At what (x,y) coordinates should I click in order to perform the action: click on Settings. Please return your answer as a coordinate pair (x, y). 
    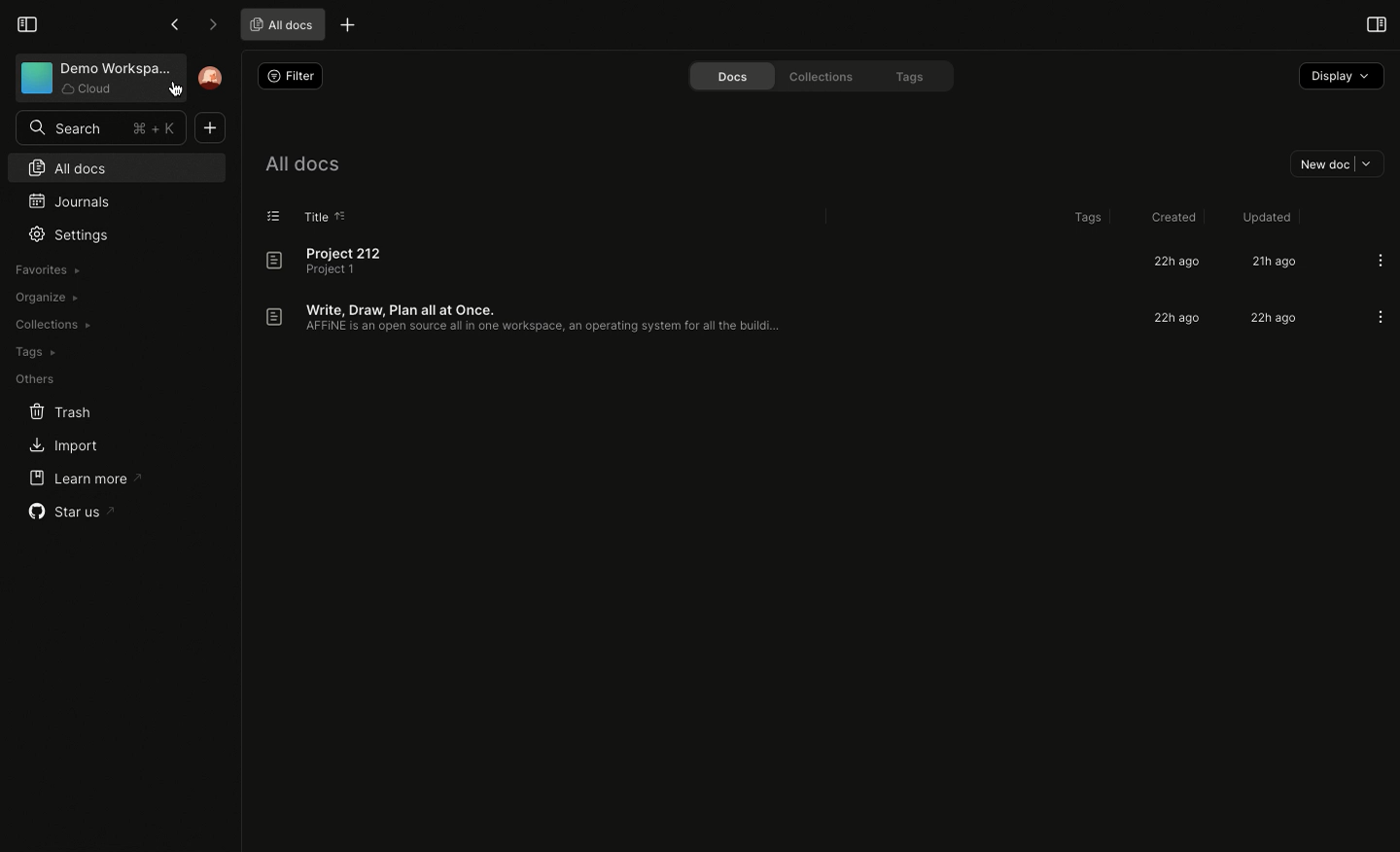
    Looking at the image, I should click on (73, 234).